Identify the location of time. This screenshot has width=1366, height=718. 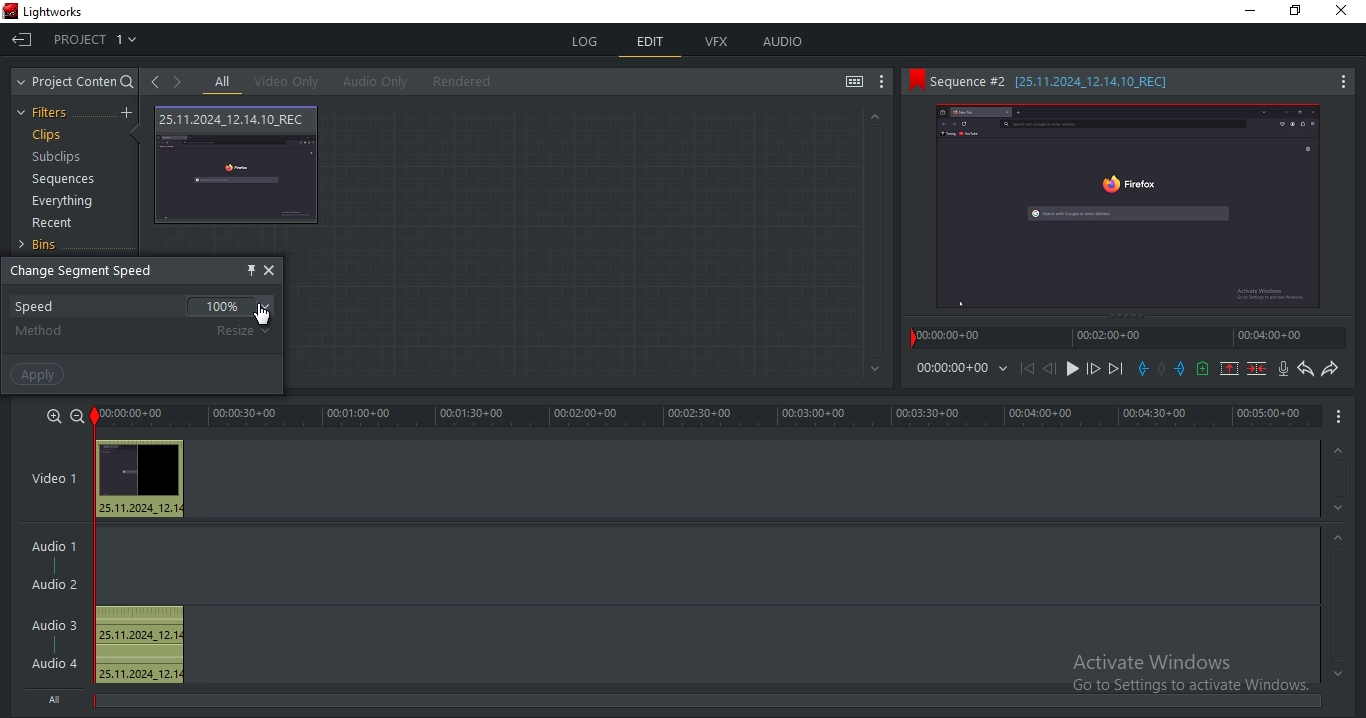
(964, 371).